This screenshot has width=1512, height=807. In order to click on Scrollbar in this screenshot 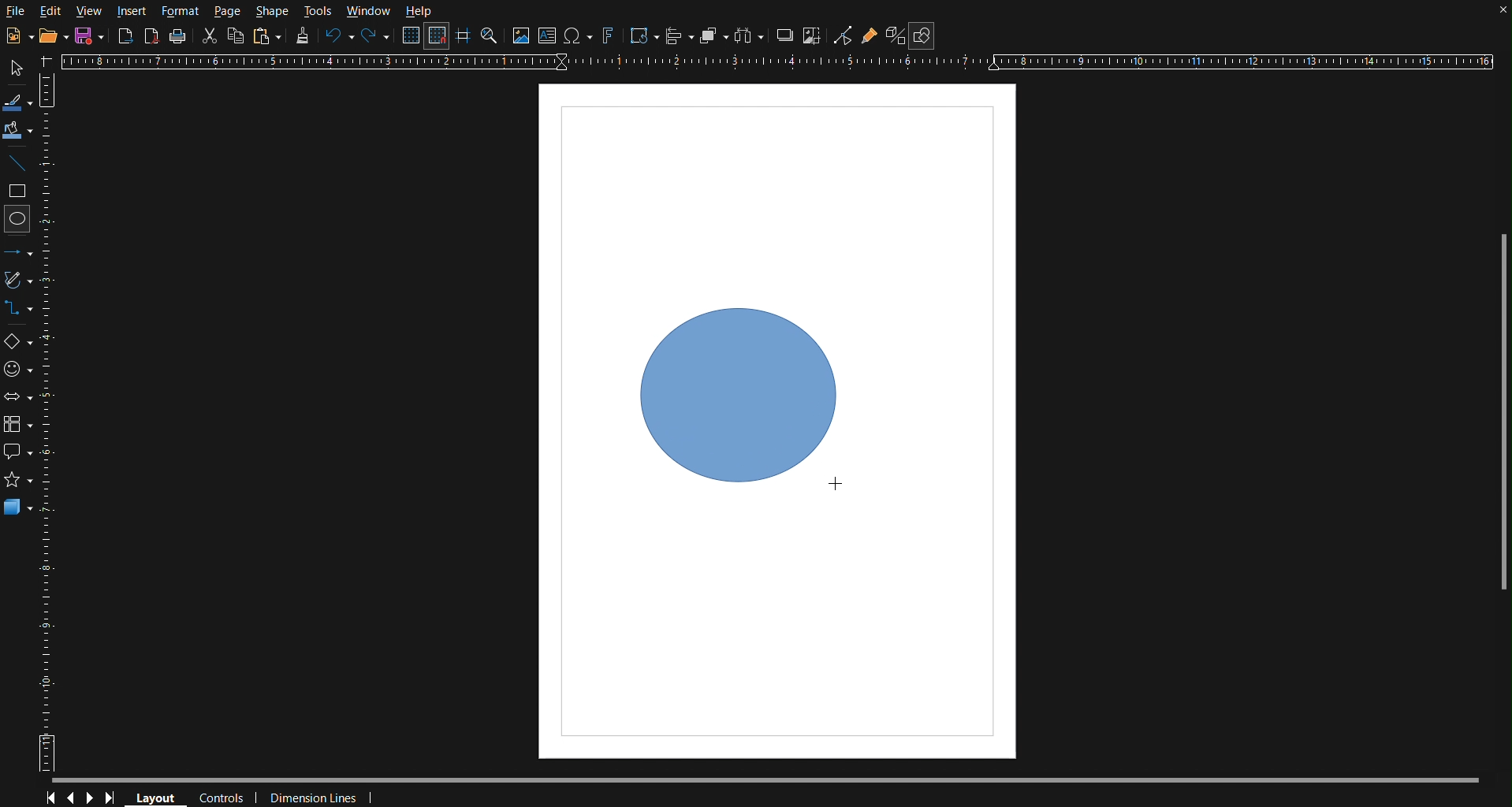, I will do `click(778, 775)`.